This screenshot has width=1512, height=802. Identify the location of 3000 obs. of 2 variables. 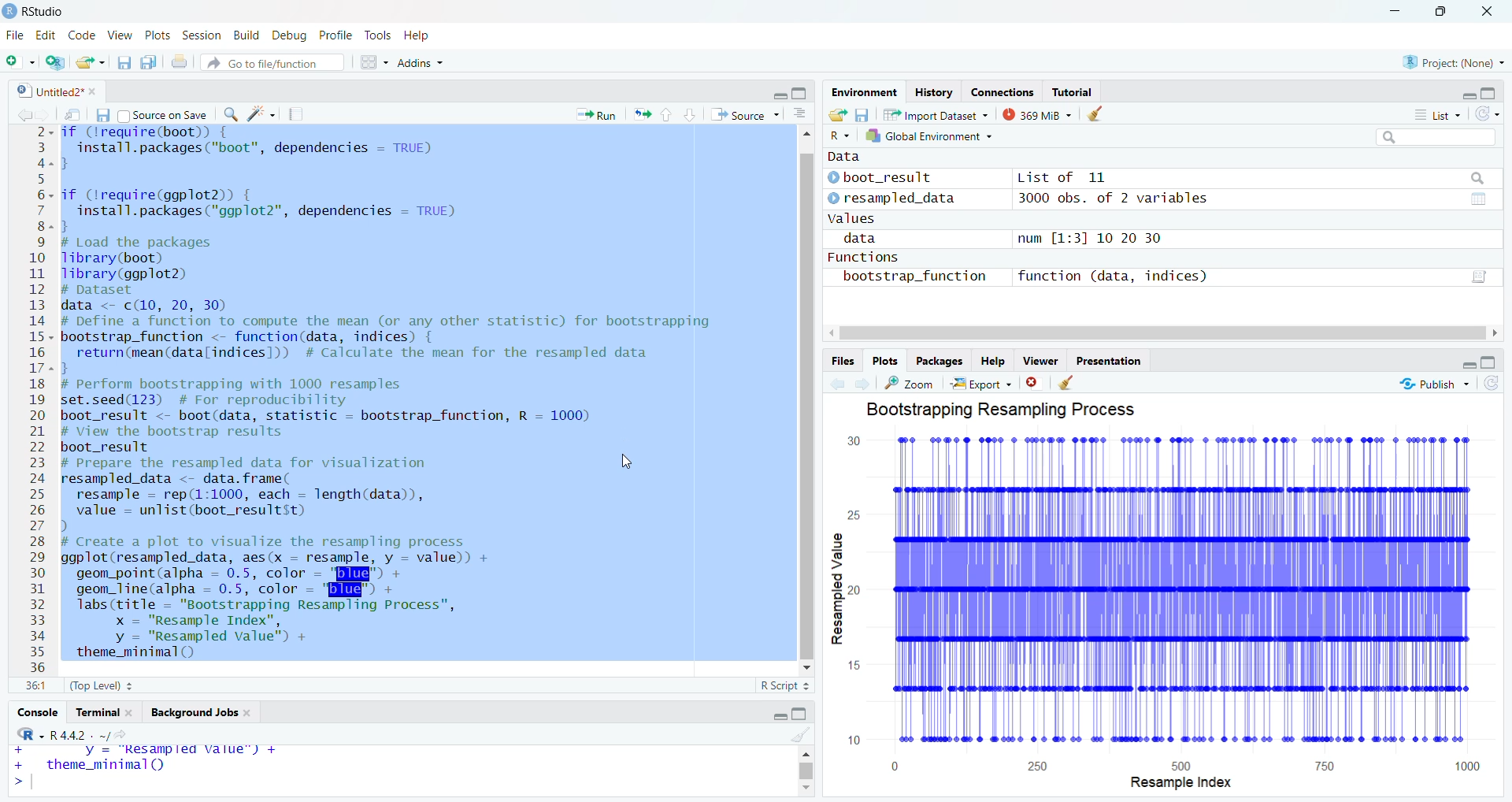
(1137, 199).